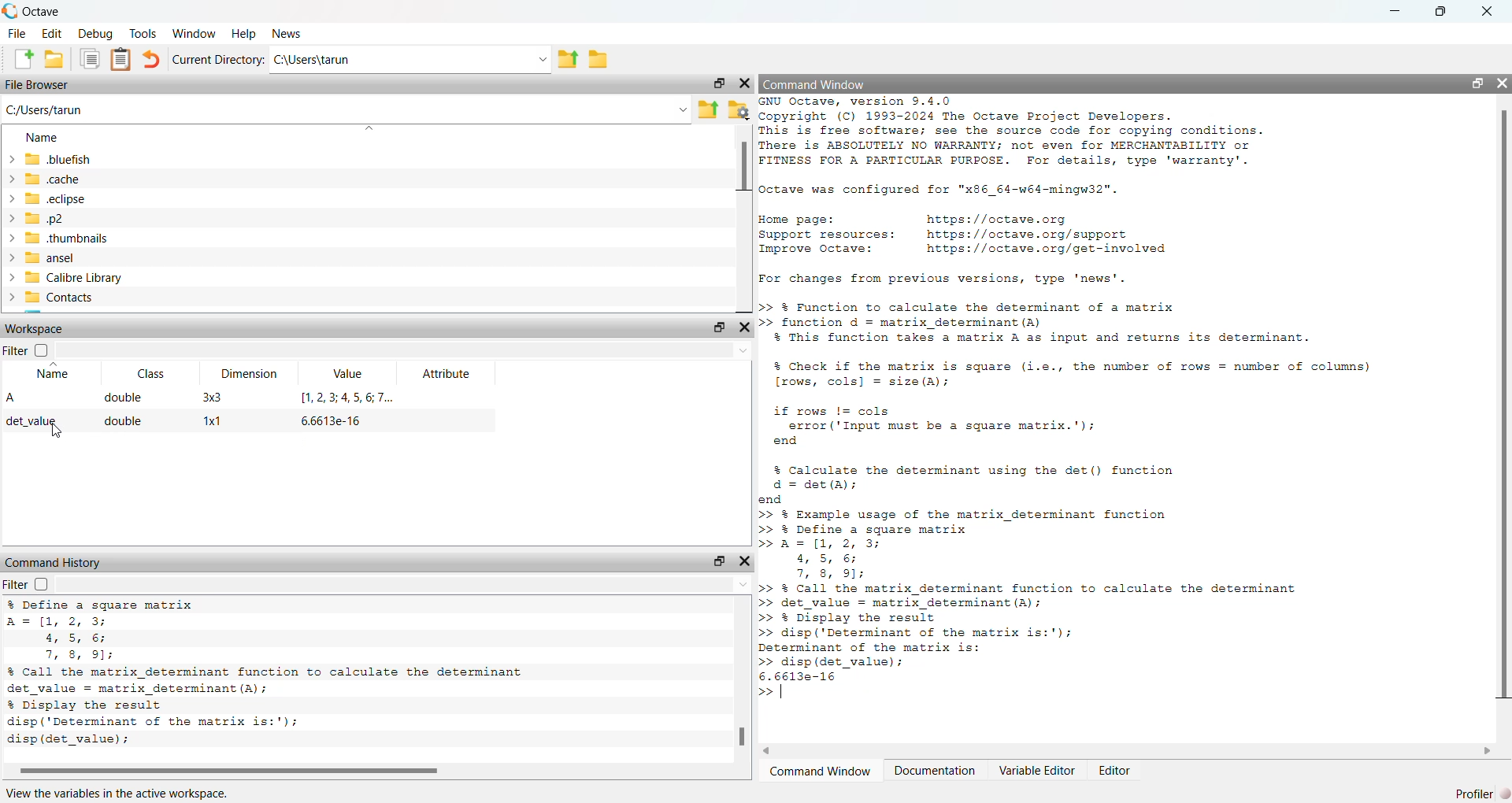 The height and width of the screenshot is (803, 1512). Describe the element at coordinates (212, 397) in the screenshot. I see `3x3` at that location.